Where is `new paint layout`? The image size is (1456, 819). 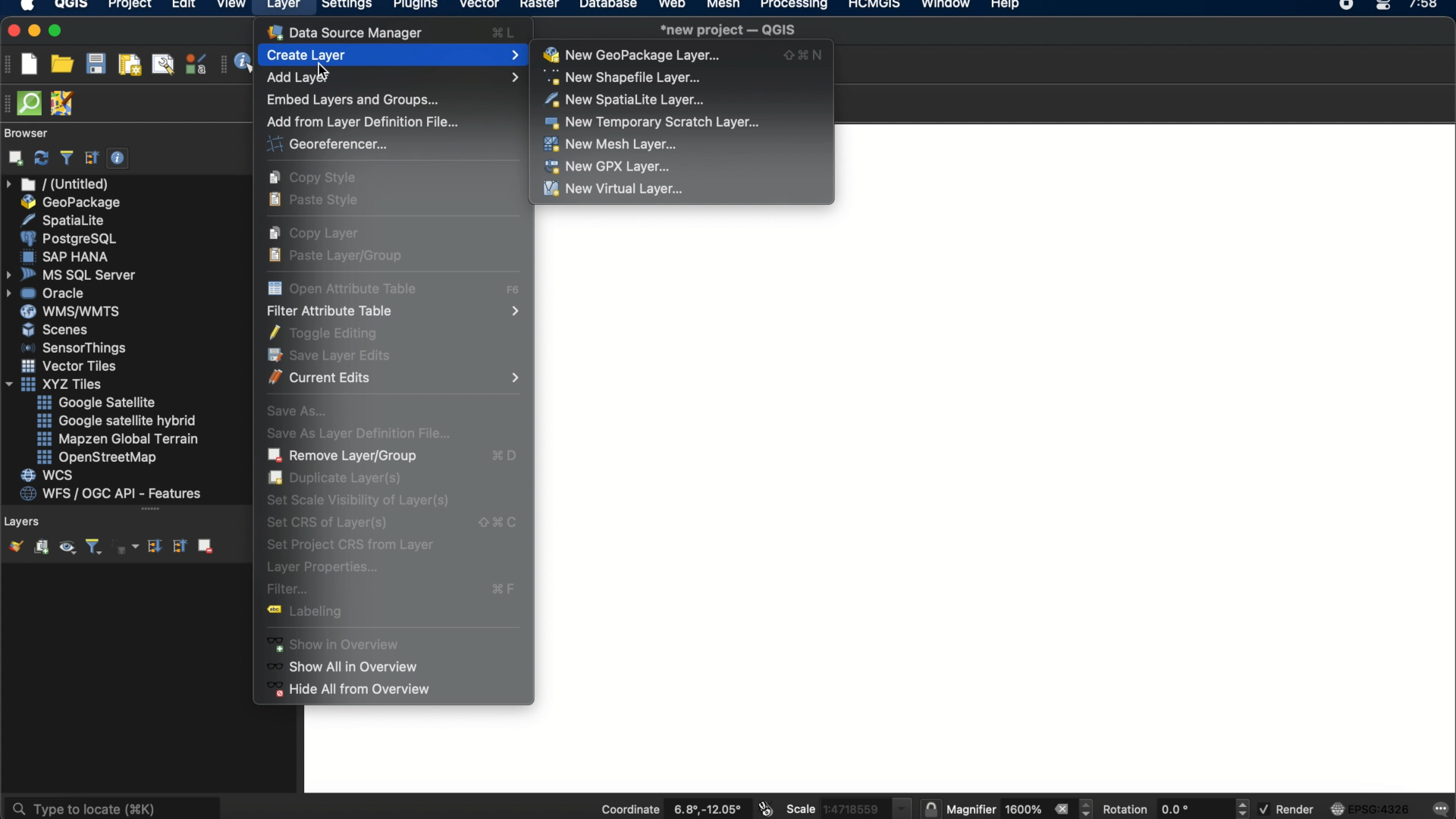 new paint layout is located at coordinates (128, 66).